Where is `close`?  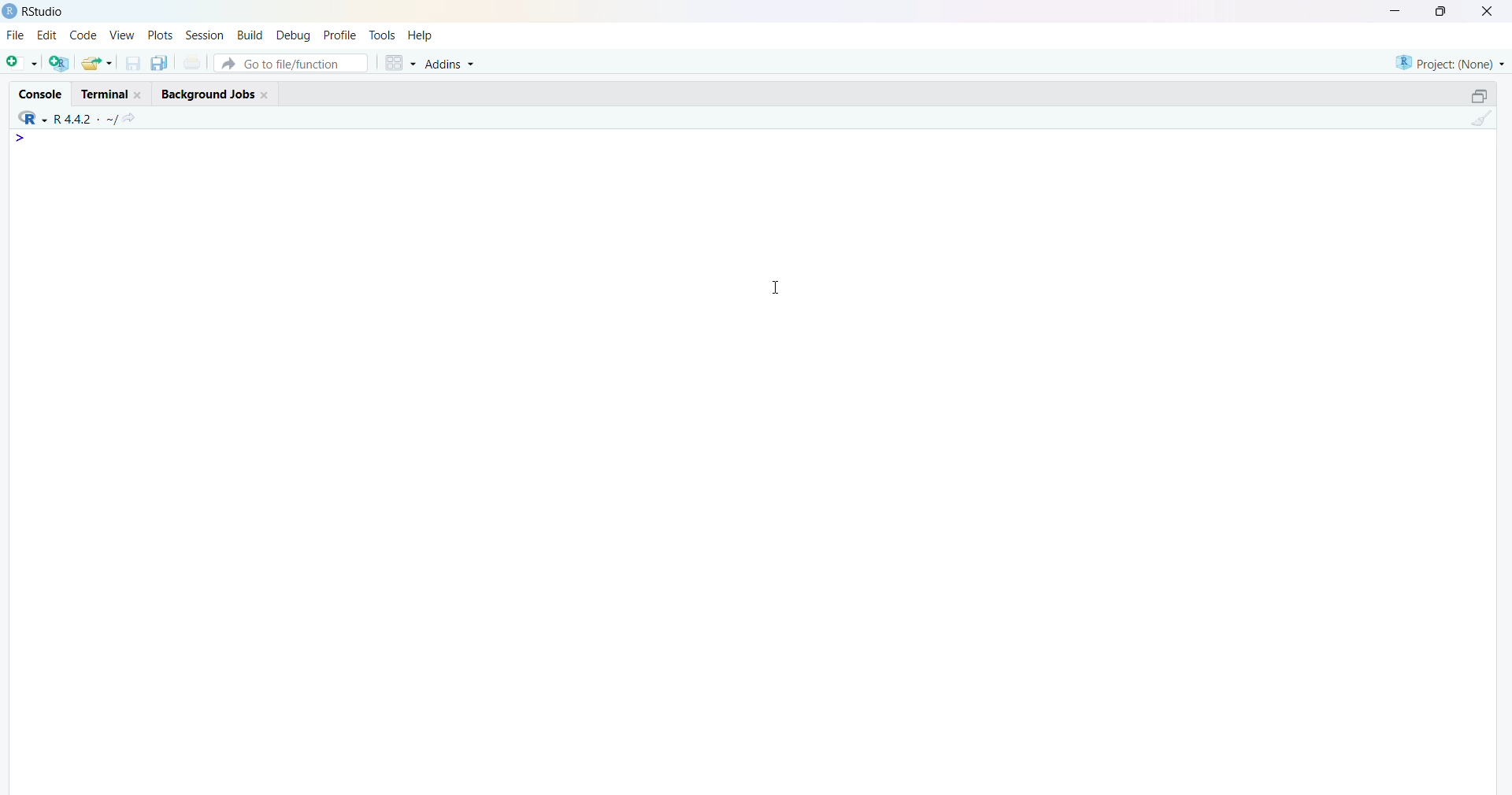 close is located at coordinates (267, 95).